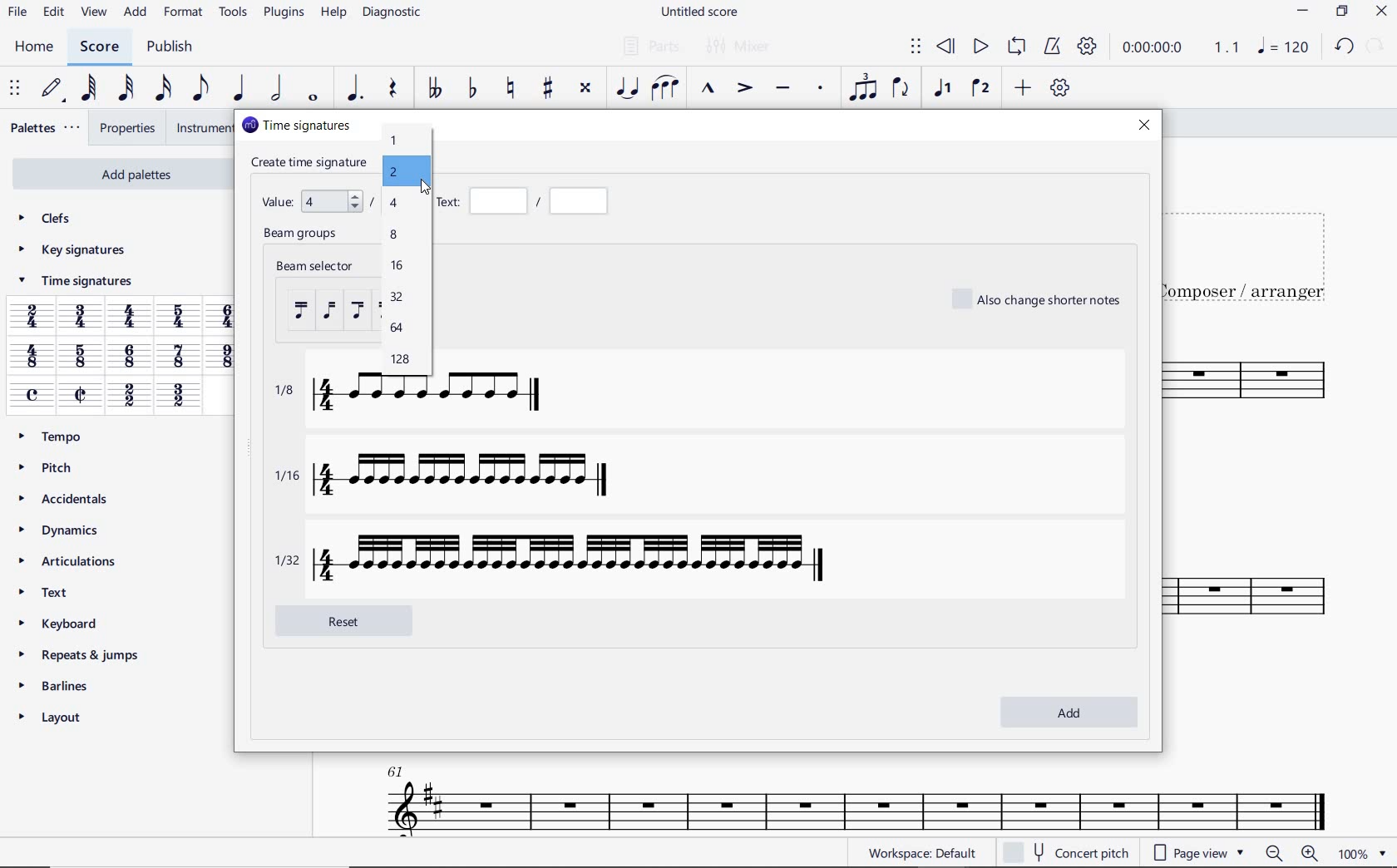 This screenshot has width=1397, height=868. What do you see at coordinates (126, 89) in the screenshot?
I see `32ND NOTE` at bounding box center [126, 89].